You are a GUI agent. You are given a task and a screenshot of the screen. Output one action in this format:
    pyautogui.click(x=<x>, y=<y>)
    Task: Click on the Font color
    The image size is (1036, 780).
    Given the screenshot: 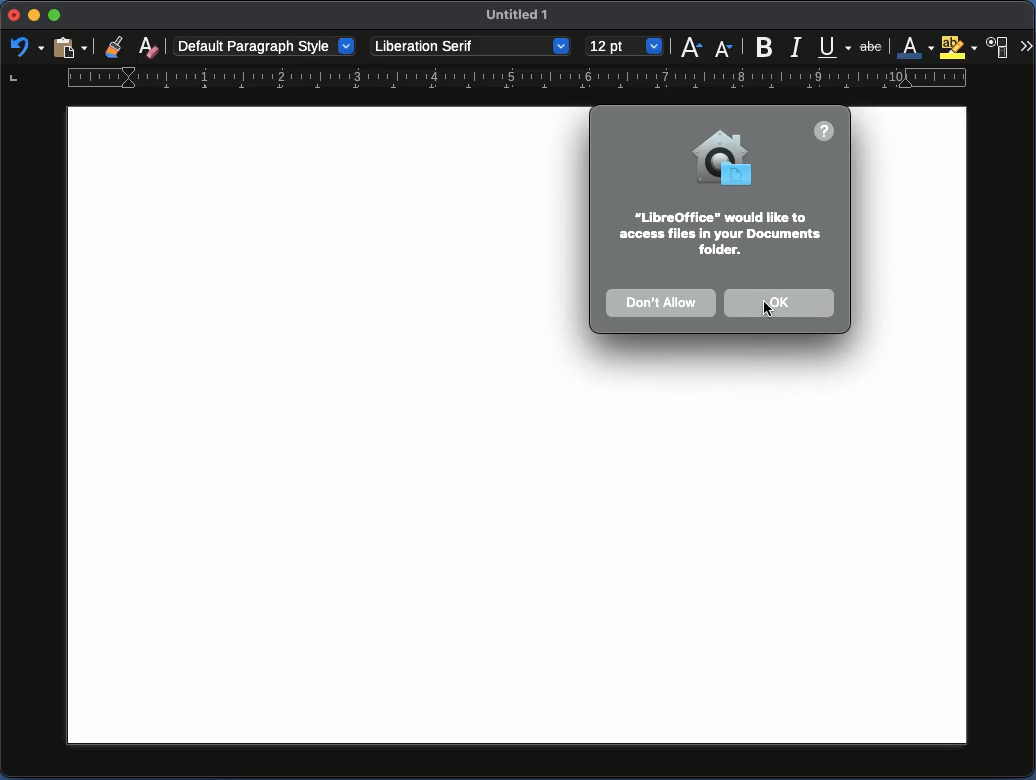 What is the action you would take?
    pyautogui.click(x=916, y=48)
    